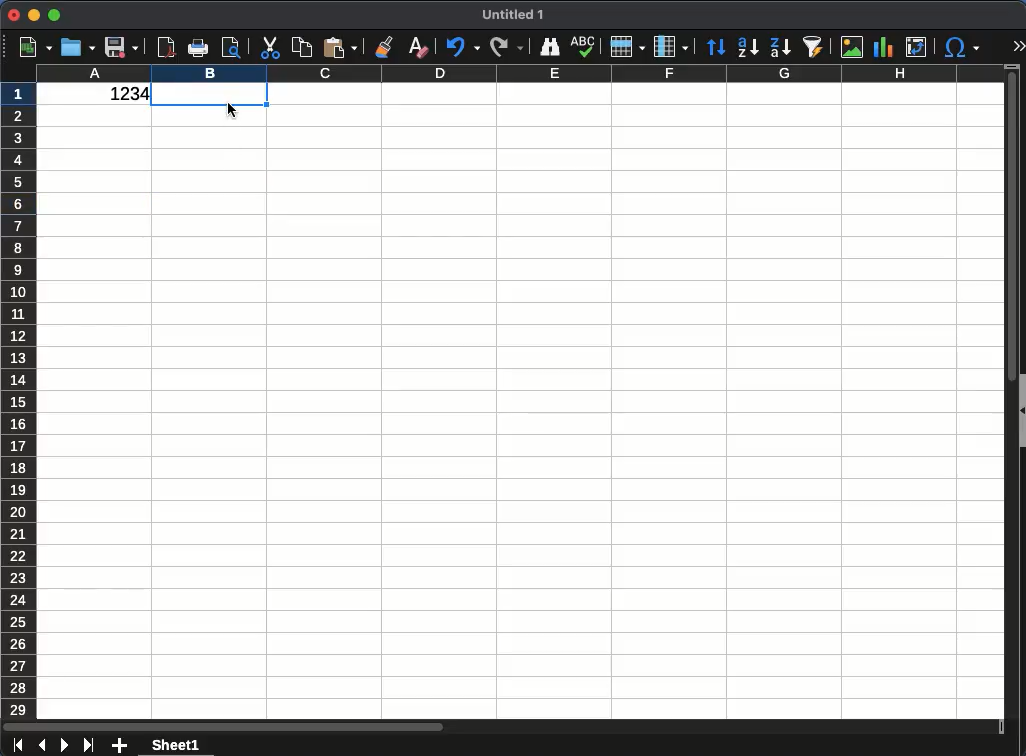 This screenshot has width=1026, height=756. I want to click on spell check, so click(584, 47).